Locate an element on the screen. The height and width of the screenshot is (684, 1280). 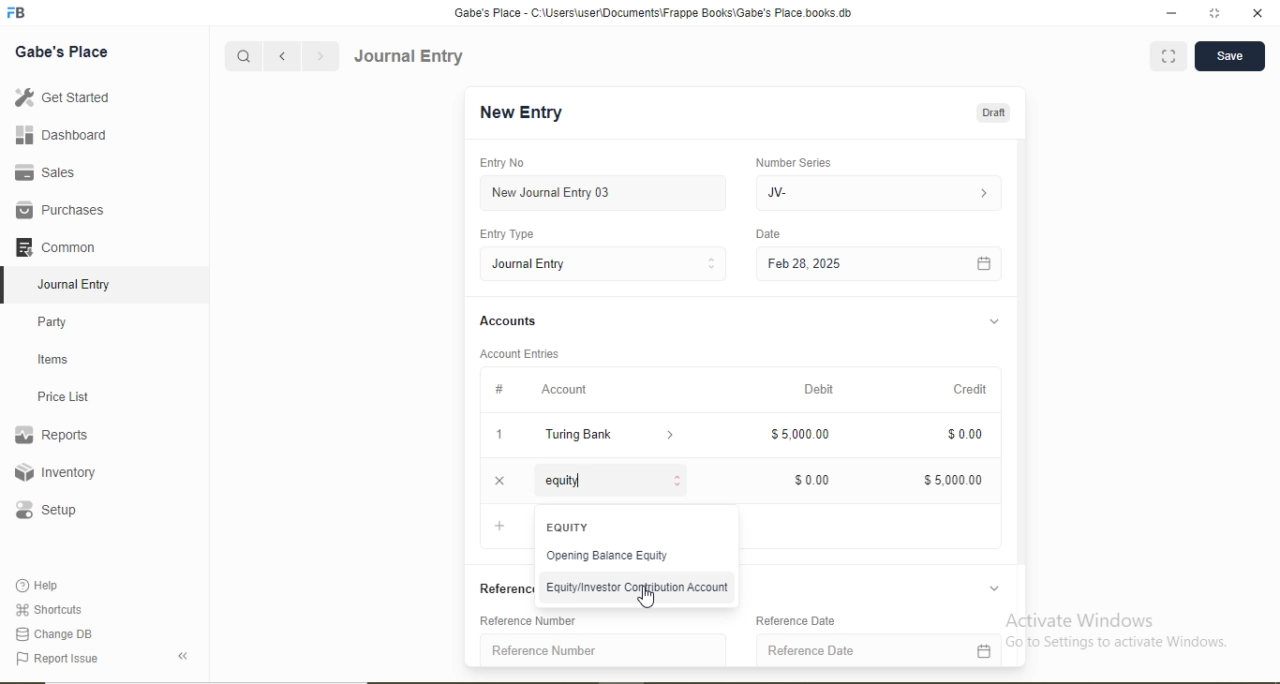
Back is located at coordinates (182, 656).